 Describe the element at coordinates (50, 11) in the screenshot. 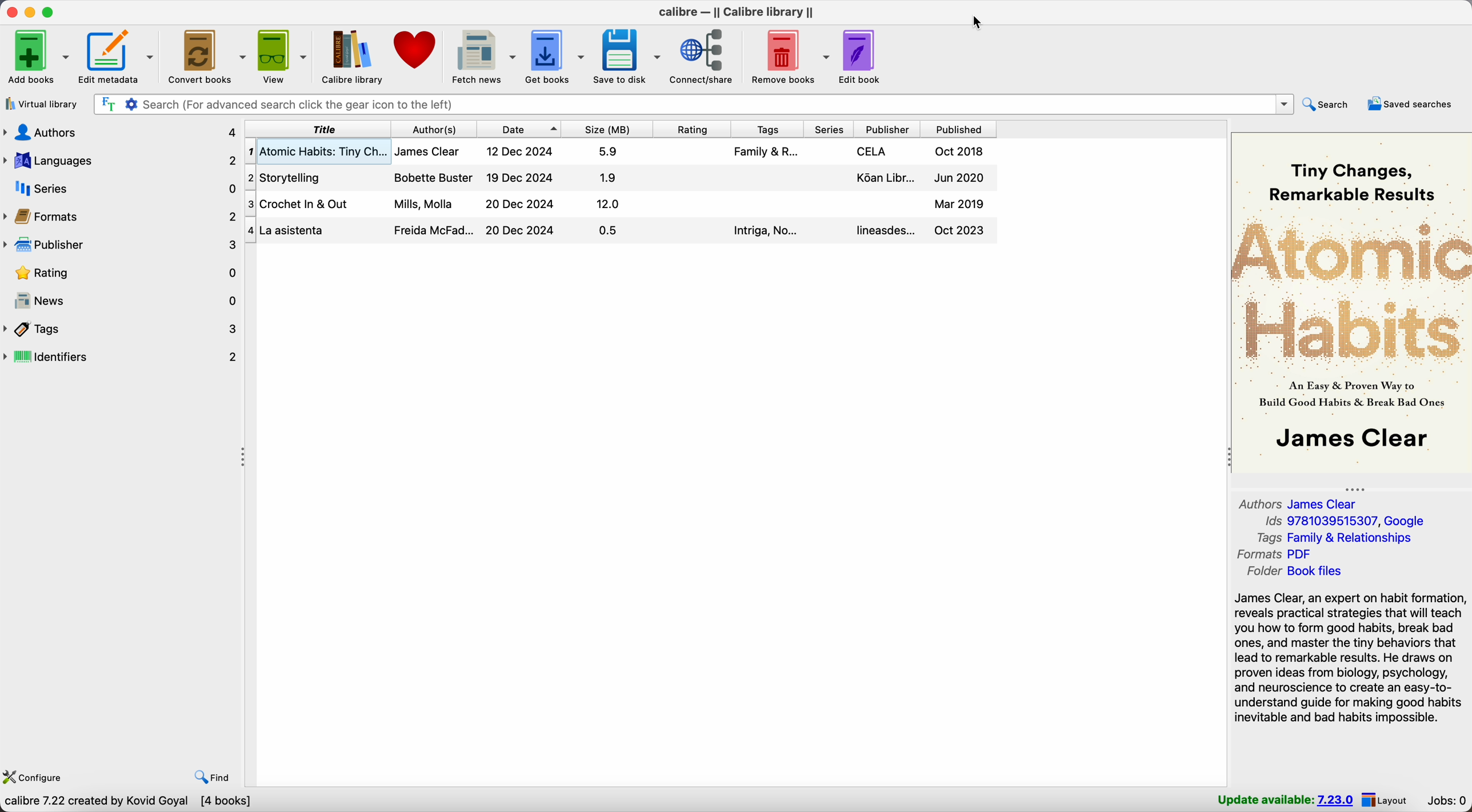

I see `maximize Calibre` at that location.